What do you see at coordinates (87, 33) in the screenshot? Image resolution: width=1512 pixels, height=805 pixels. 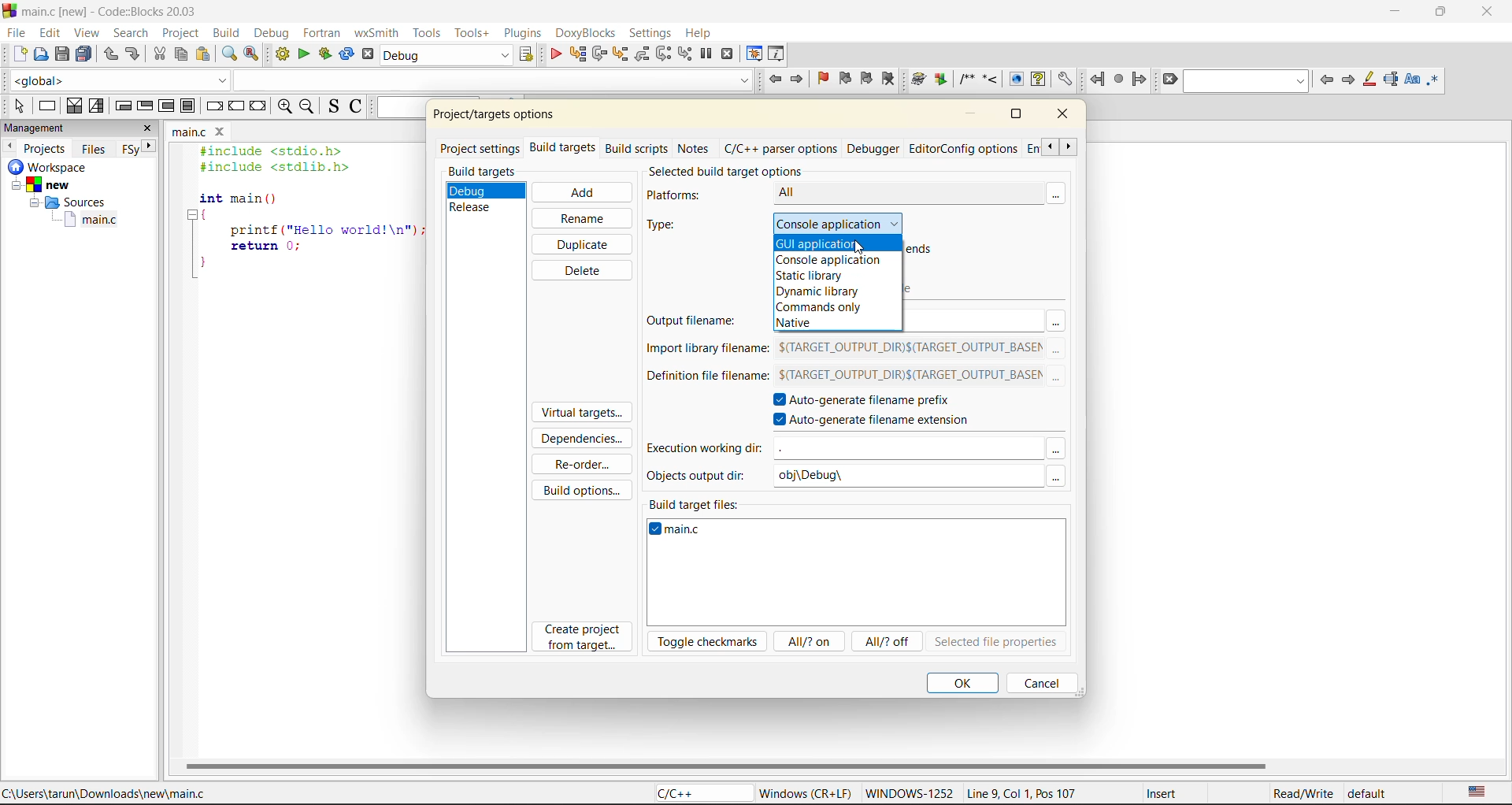 I see `view` at bounding box center [87, 33].